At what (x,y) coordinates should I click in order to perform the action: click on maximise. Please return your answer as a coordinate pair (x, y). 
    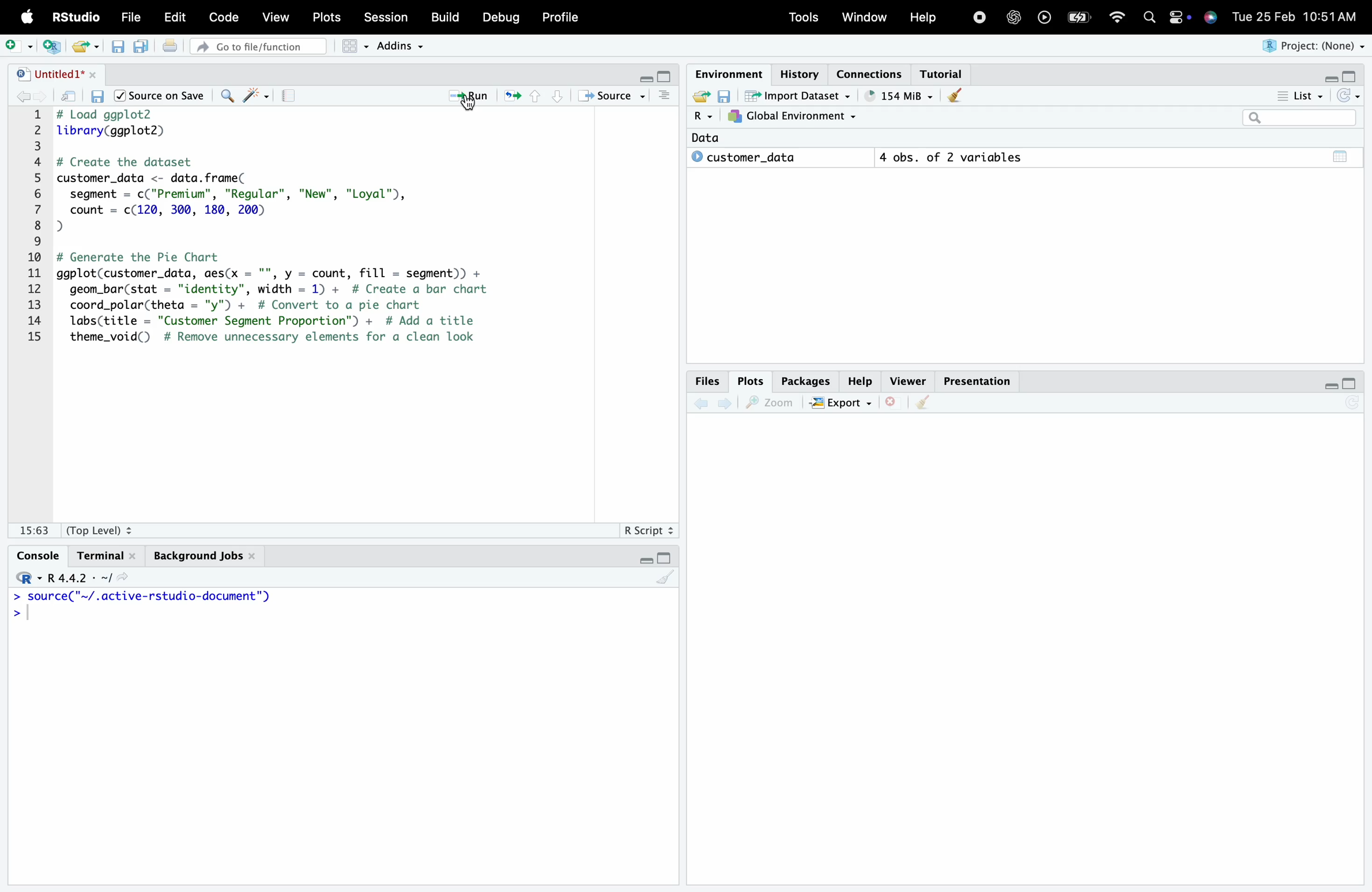
    Looking at the image, I should click on (668, 556).